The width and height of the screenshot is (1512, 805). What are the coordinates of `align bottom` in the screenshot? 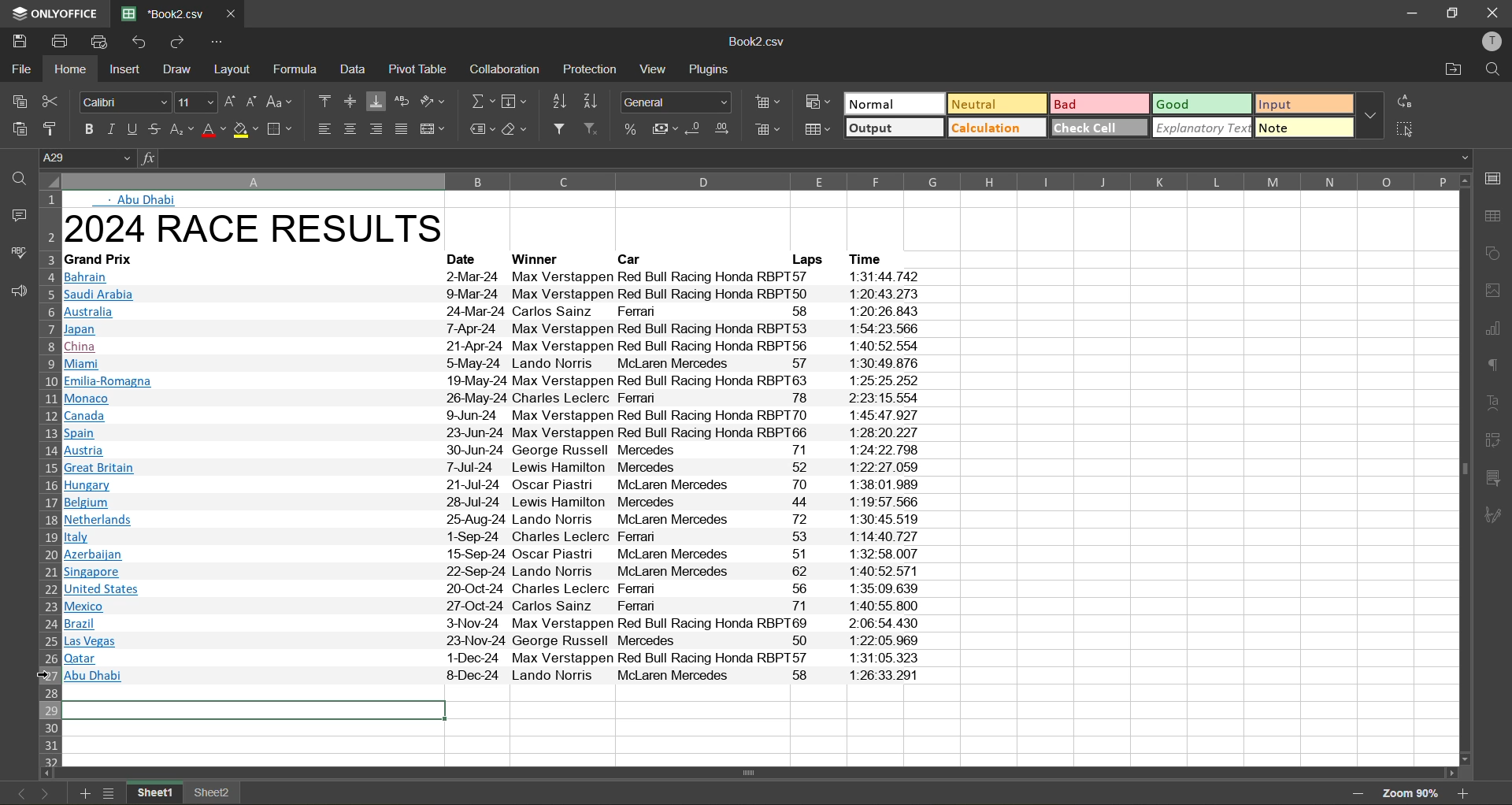 It's located at (377, 101).